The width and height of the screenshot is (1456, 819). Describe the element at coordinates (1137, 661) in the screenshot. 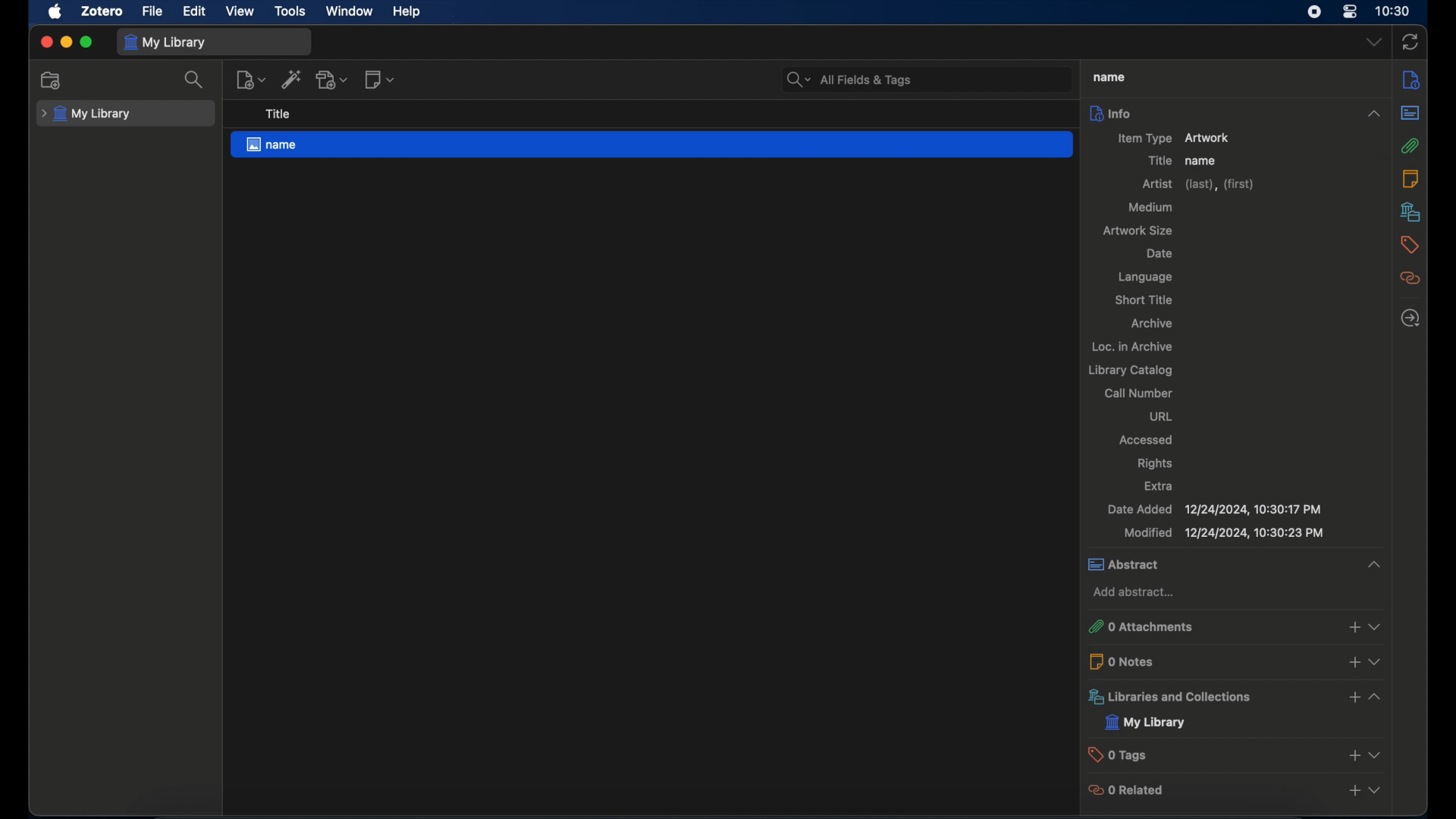

I see `0 notes` at that location.